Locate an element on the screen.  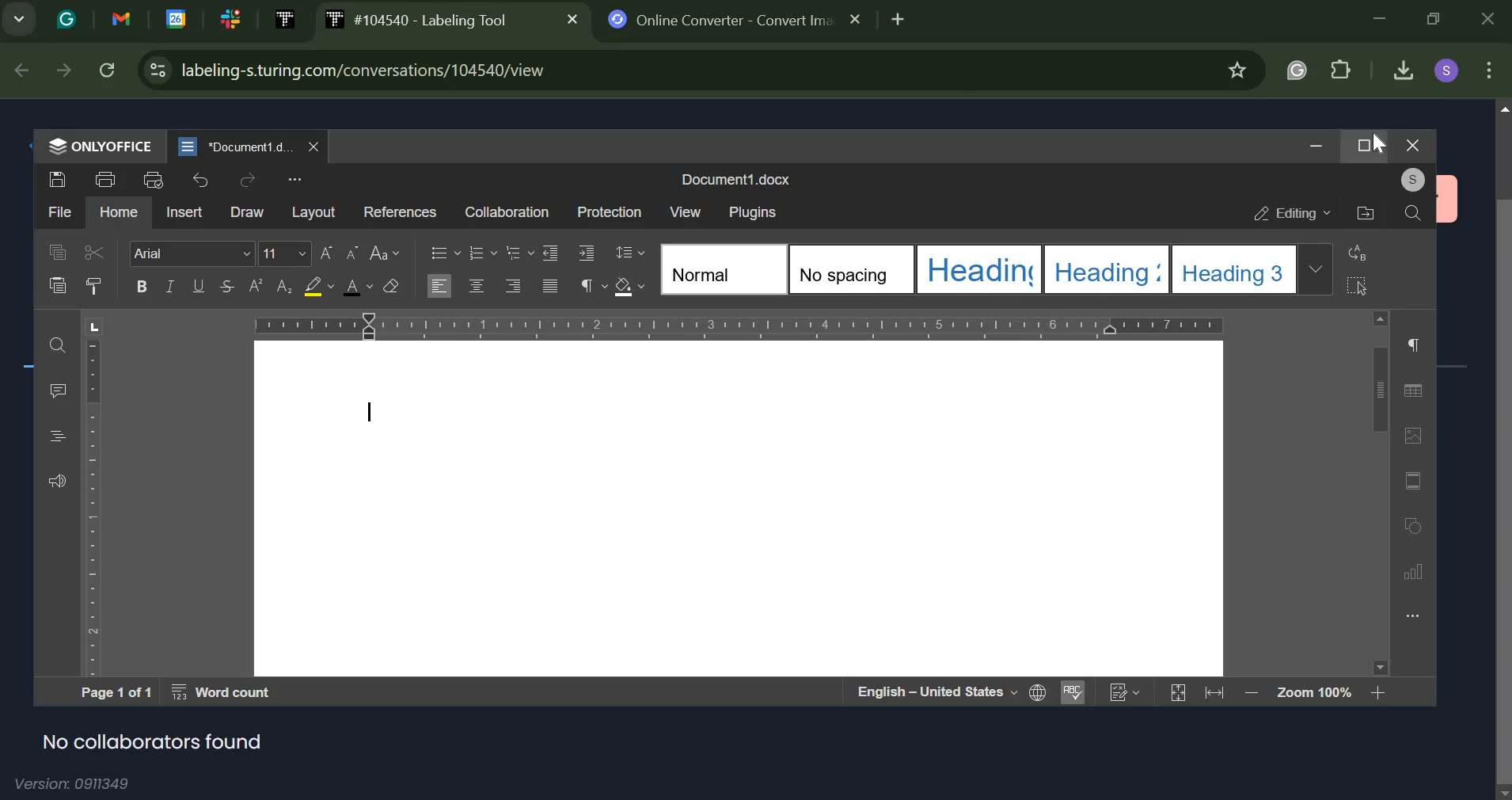
labeling-s.turing.com/conversations/104540/view is located at coordinates (691, 70).